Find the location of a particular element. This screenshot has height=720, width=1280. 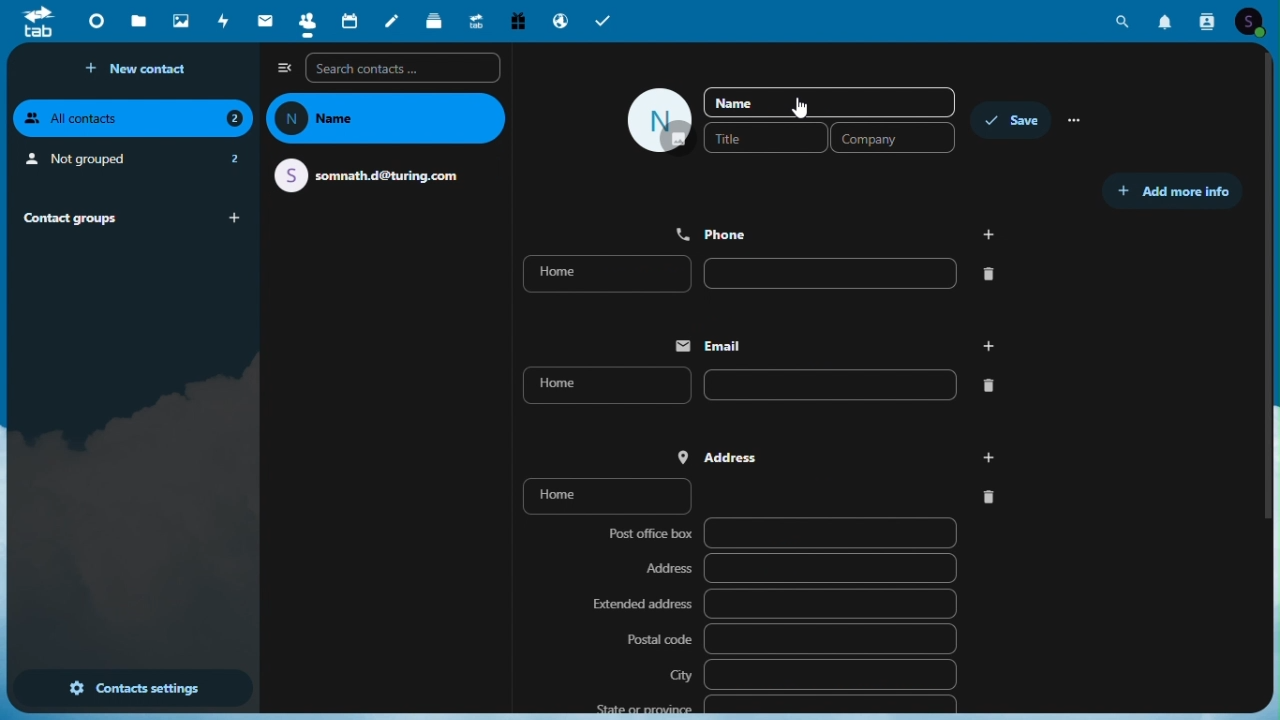

Activity is located at coordinates (225, 21).